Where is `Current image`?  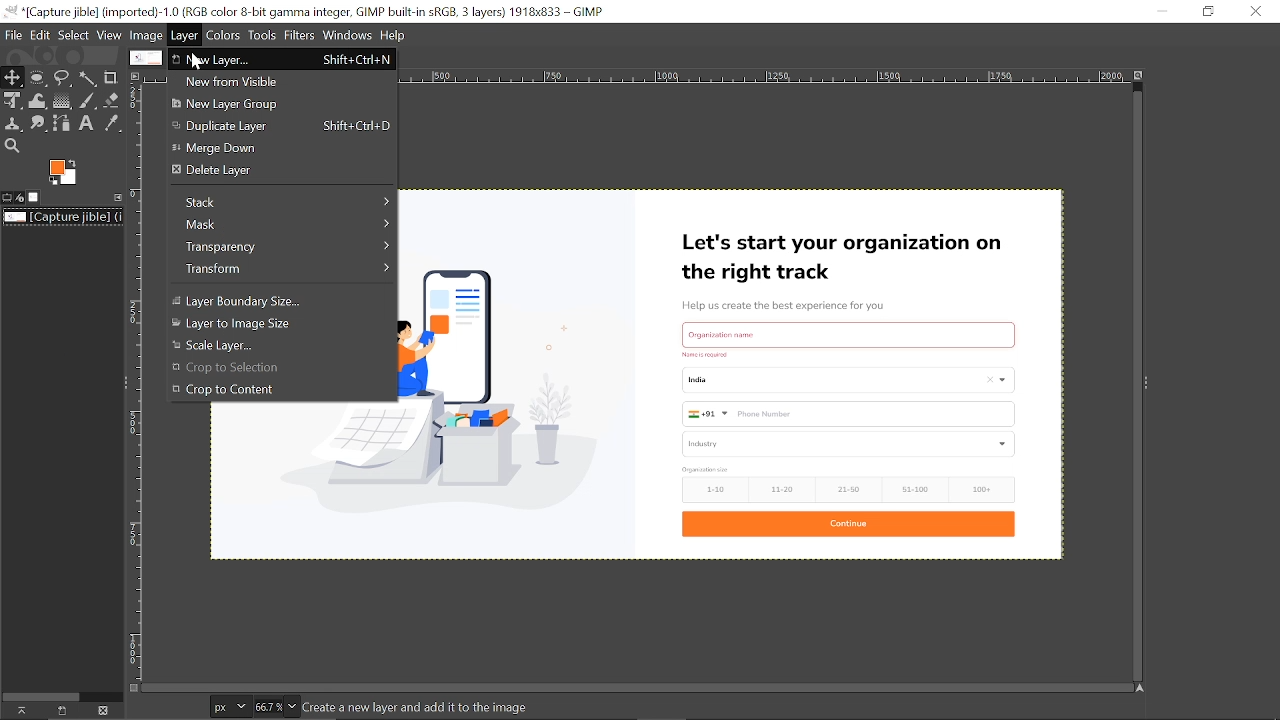
Current image is located at coordinates (64, 217).